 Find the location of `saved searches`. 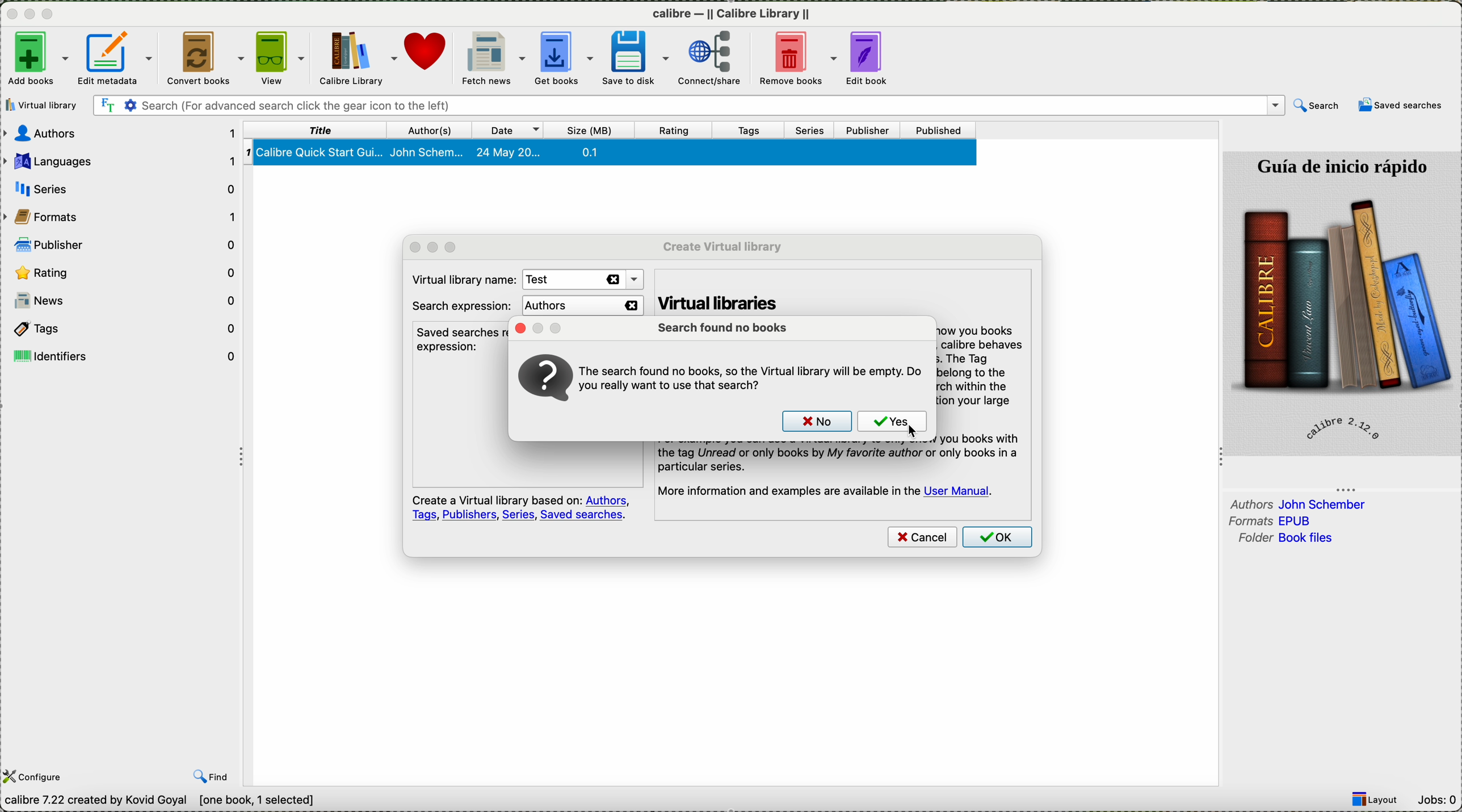

saved searches is located at coordinates (1402, 106).